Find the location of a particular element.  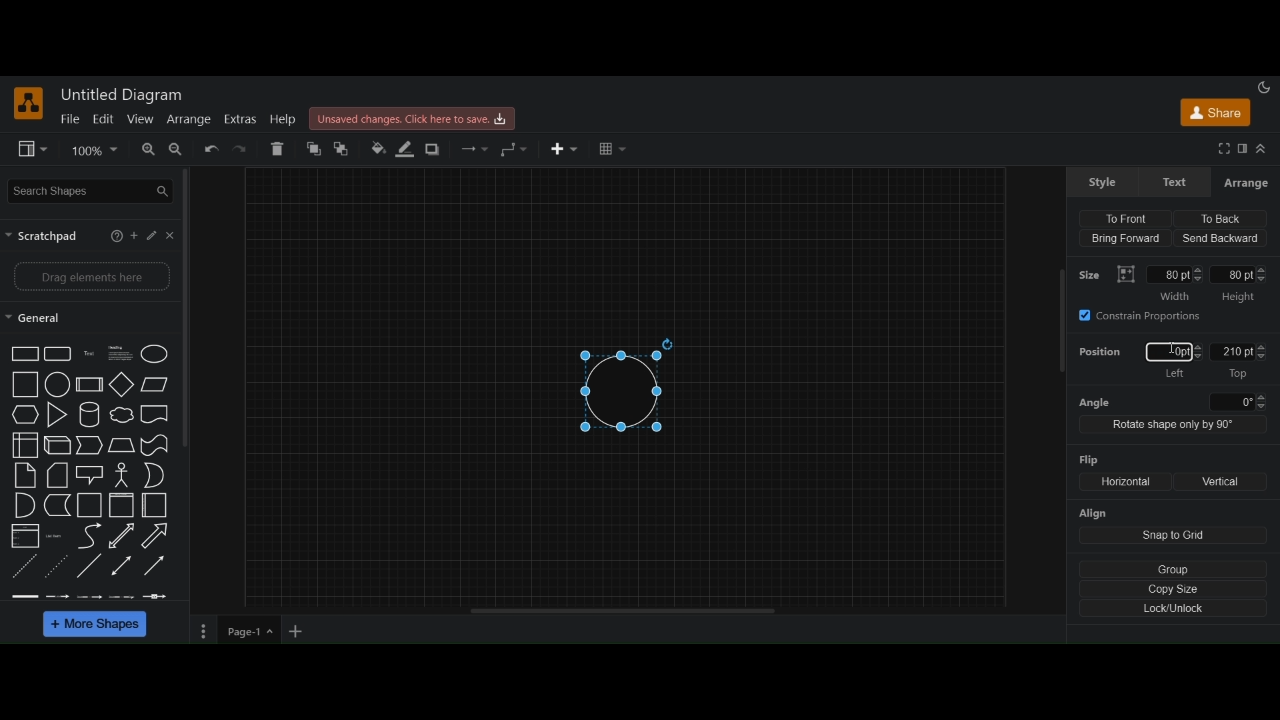

scratchpad is located at coordinates (44, 236).